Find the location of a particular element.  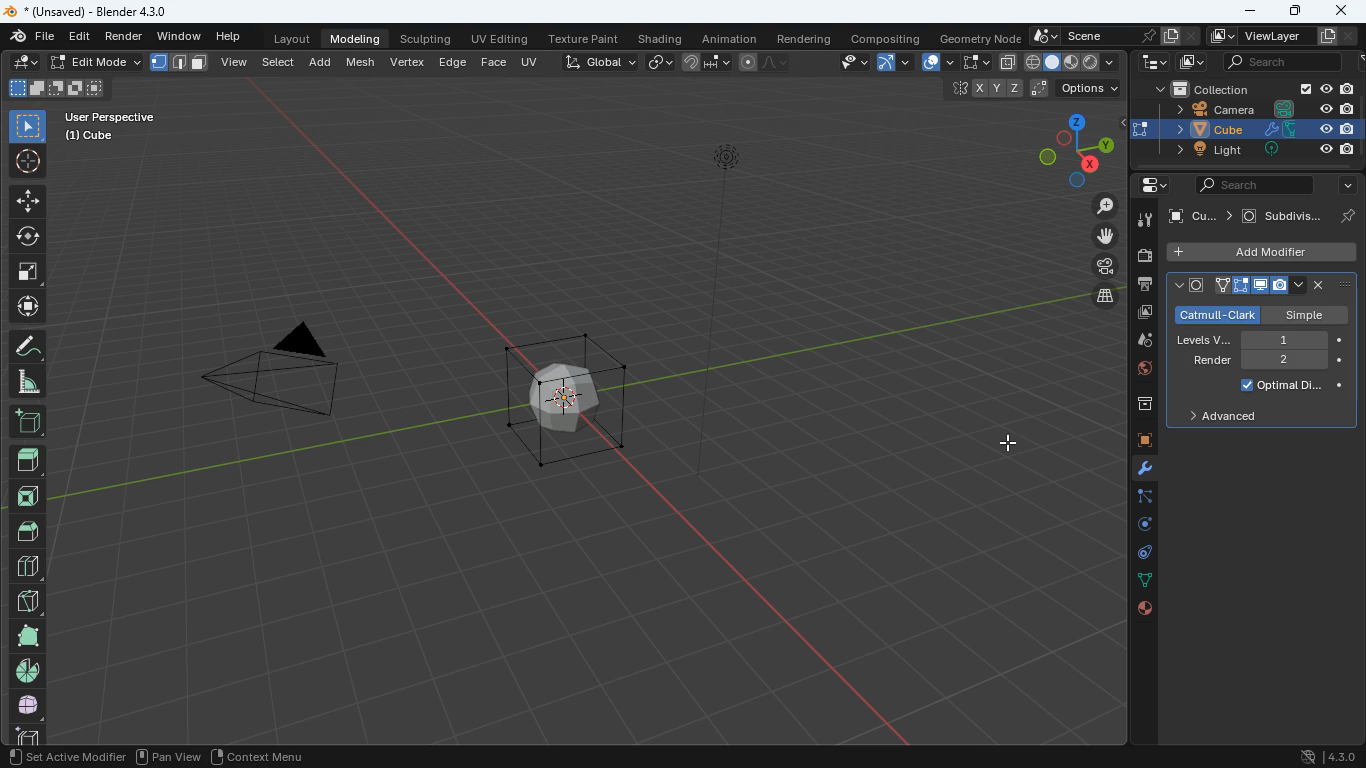

pan view is located at coordinates (41, 758).